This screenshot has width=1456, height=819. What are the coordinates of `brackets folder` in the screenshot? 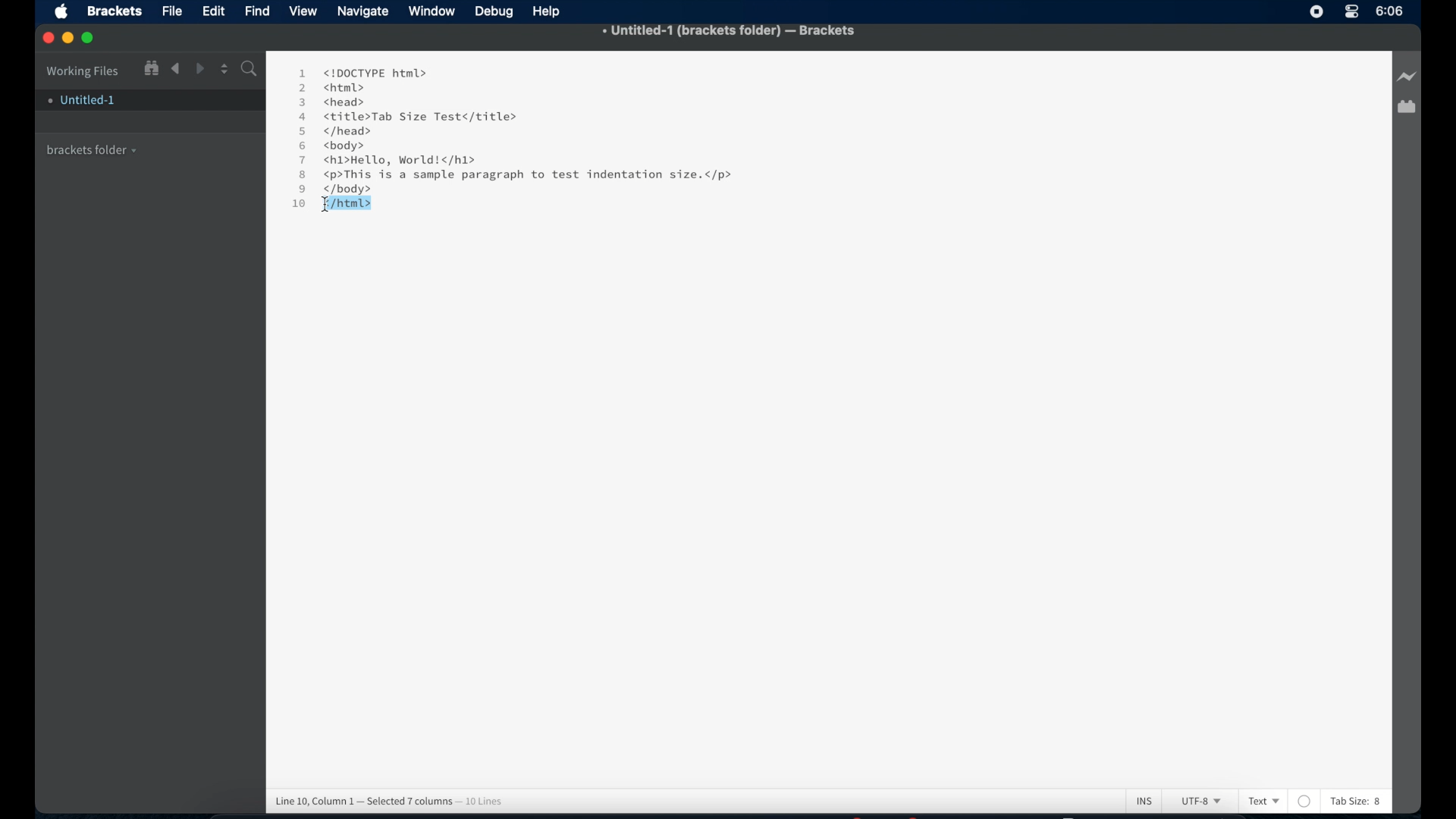 It's located at (93, 148).